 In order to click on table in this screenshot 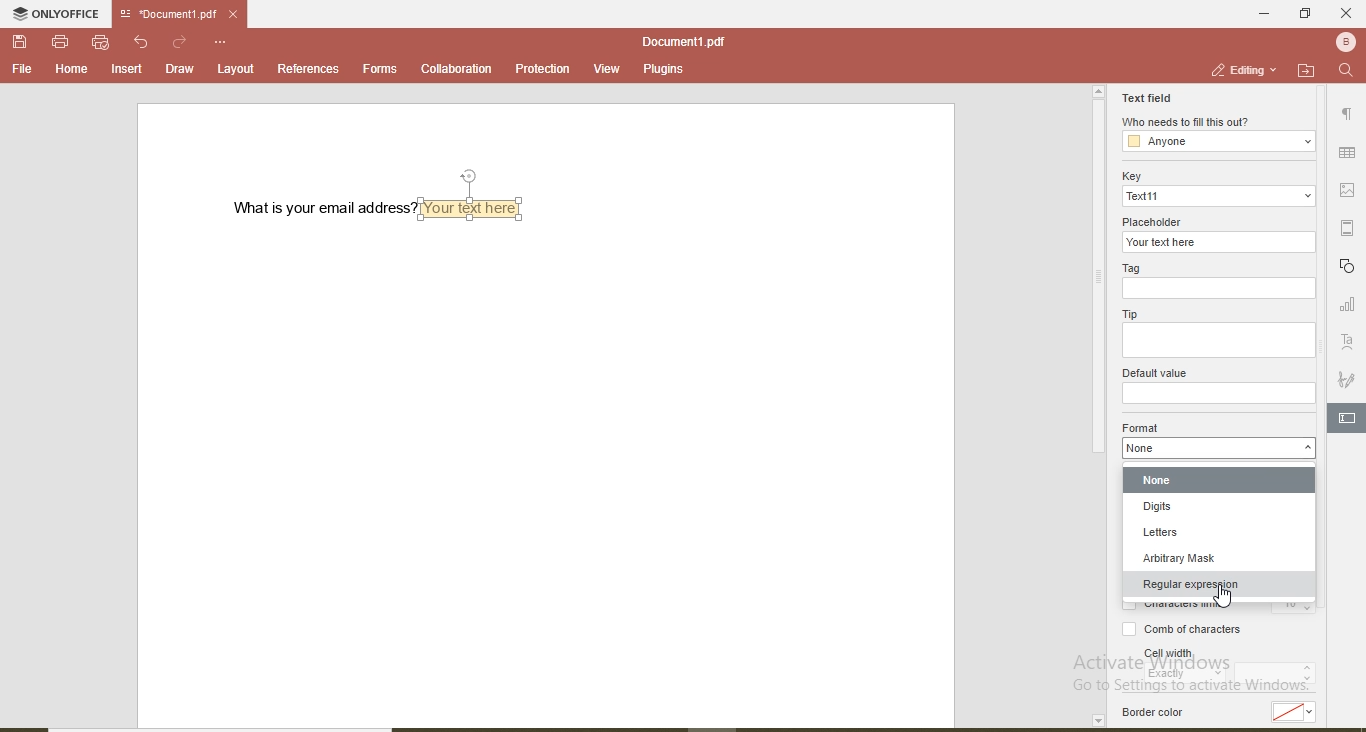, I will do `click(1348, 154)`.